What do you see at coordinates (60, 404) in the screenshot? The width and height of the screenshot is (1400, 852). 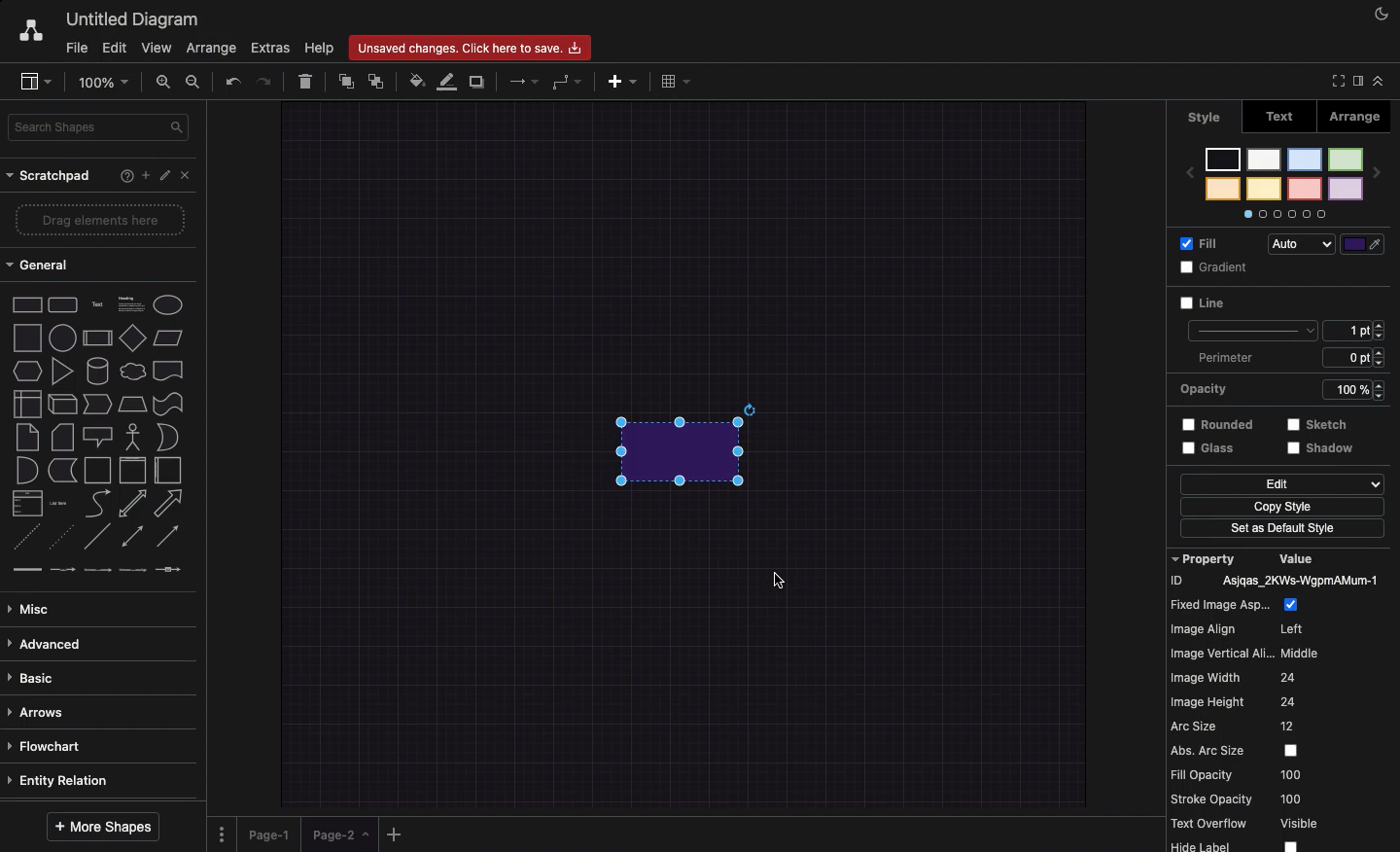 I see `cube` at bounding box center [60, 404].